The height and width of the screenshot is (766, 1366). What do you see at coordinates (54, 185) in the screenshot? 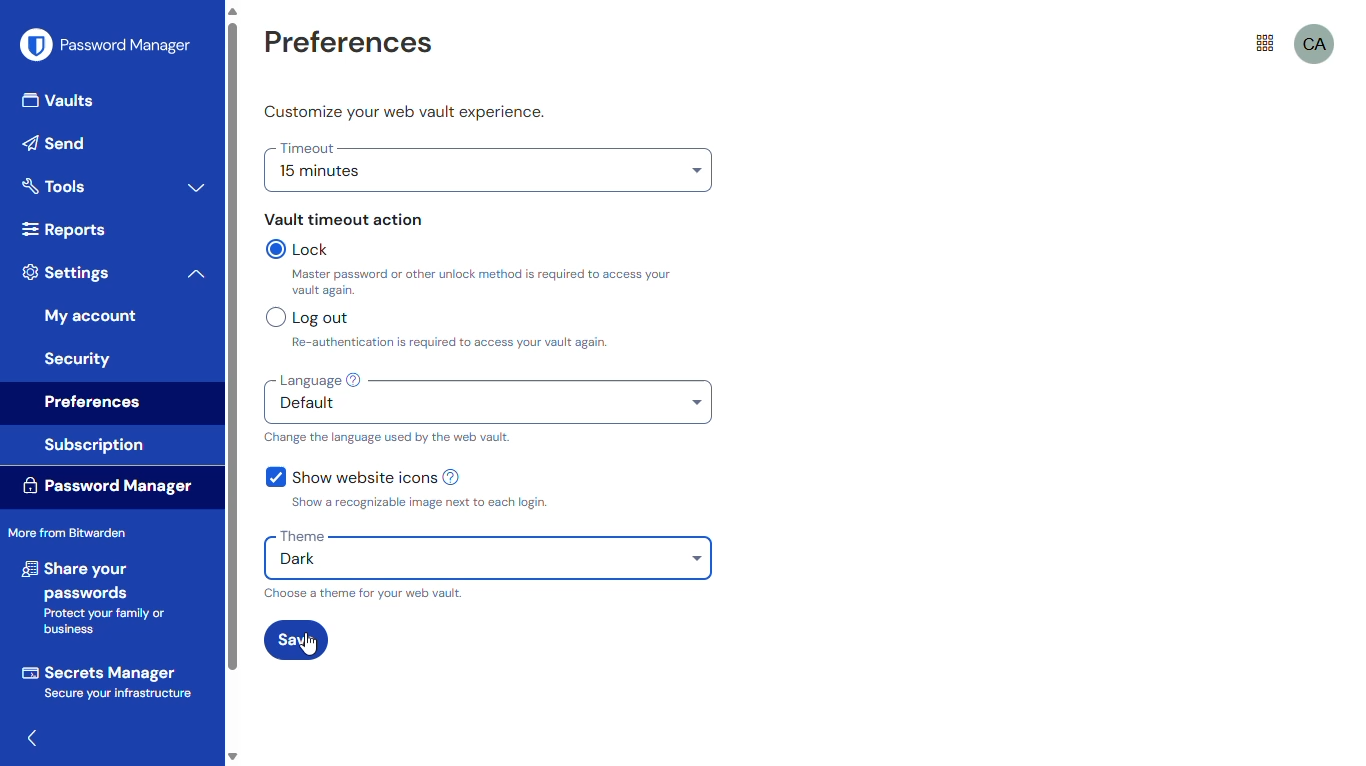
I see `tools` at bounding box center [54, 185].